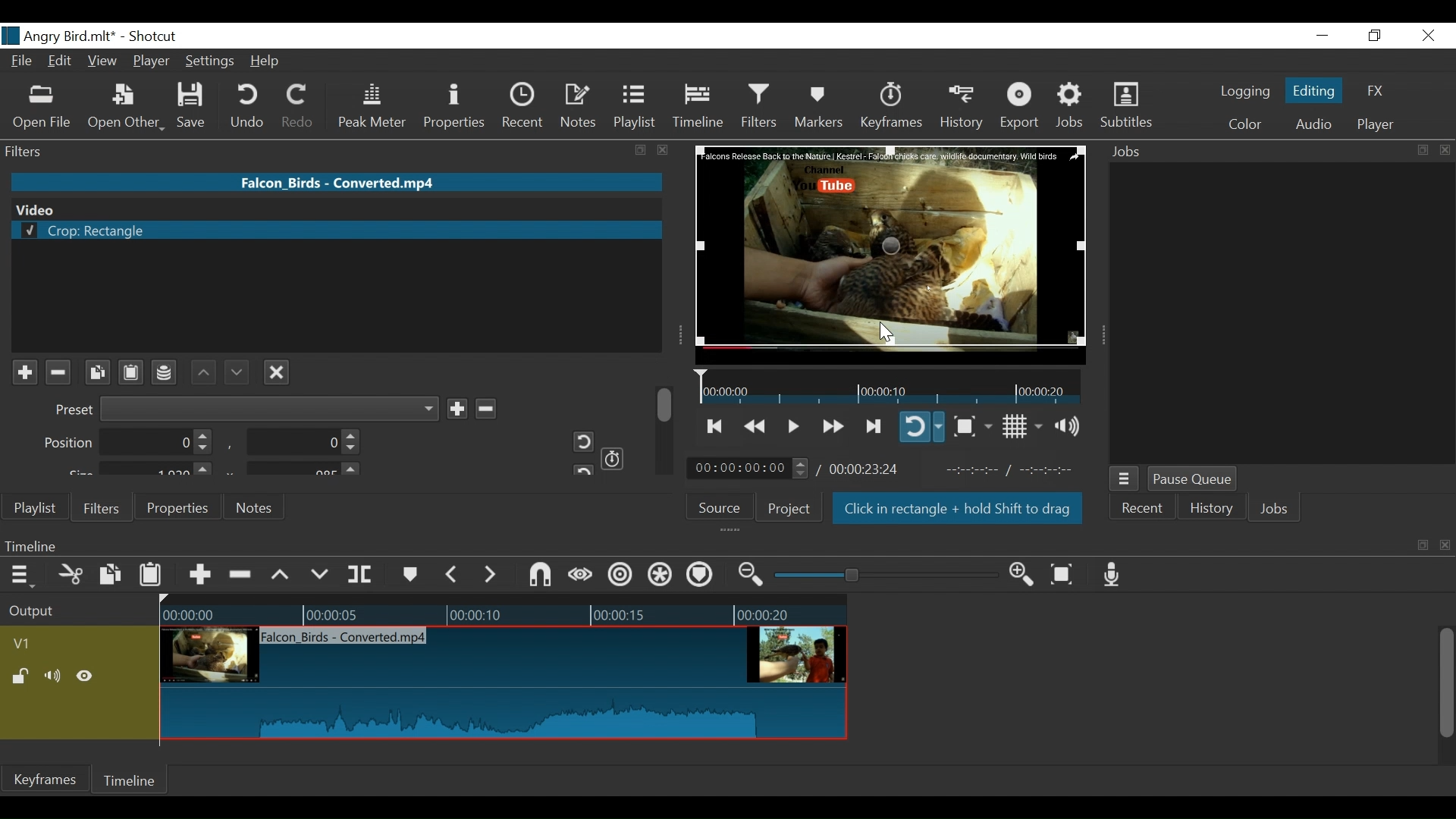 The height and width of the screenshot is (819, 1456). Describe the element at coordinates (1421, 150) in the screenshot. I see `copy` at that location.